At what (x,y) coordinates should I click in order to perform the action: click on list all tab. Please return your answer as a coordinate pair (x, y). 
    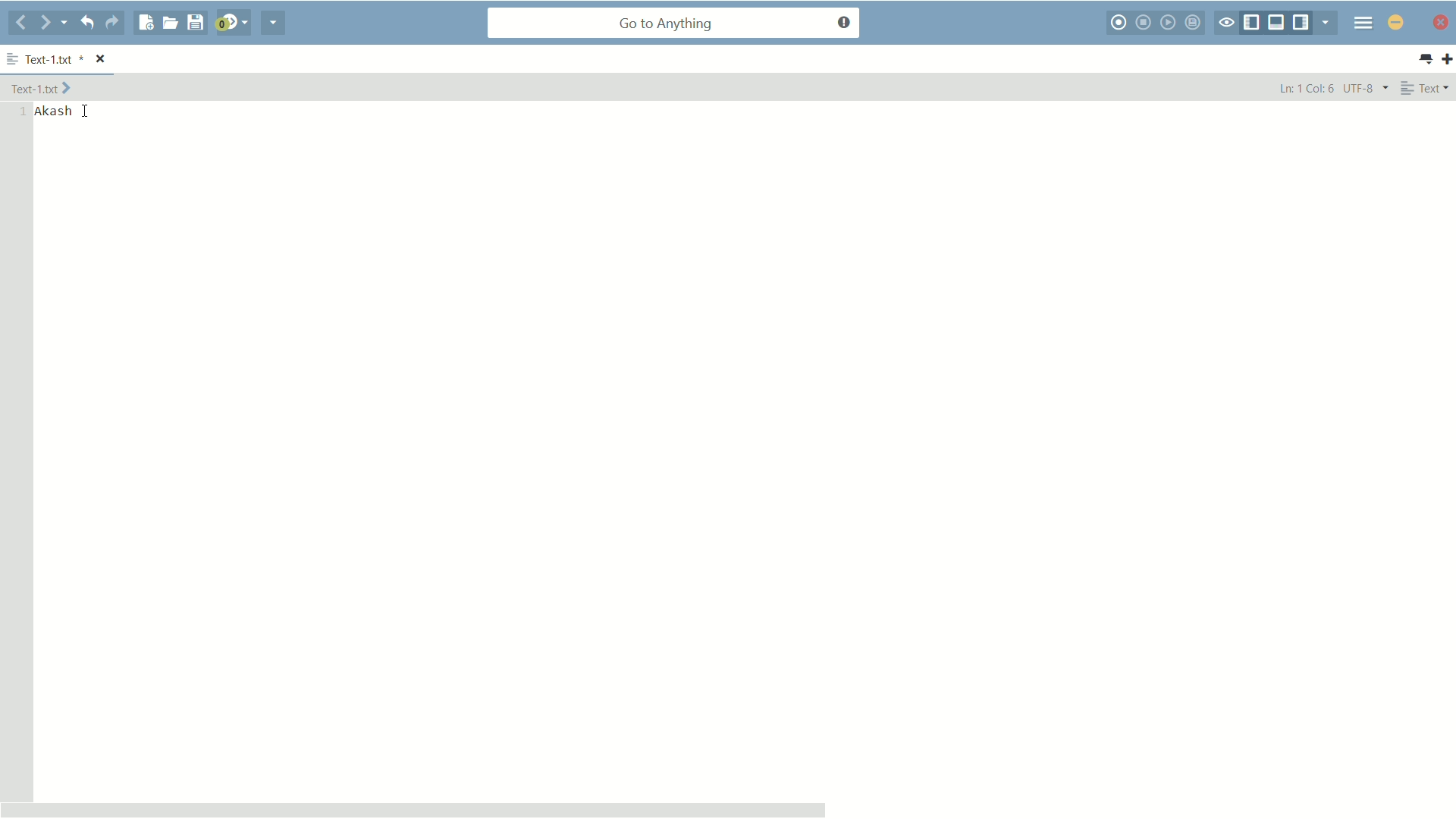
    Looking at the image, I should click on (1425, 59).